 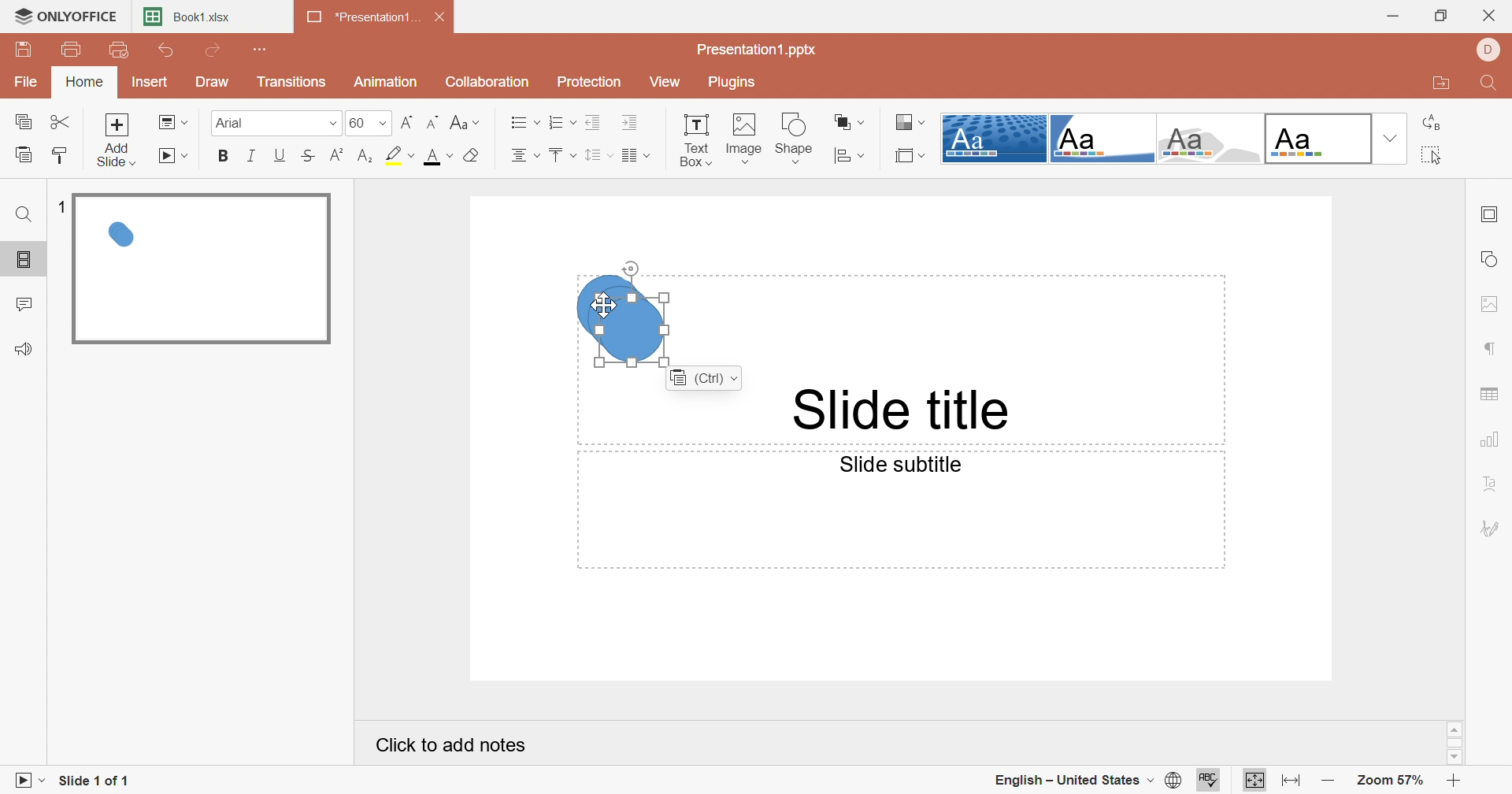 I want to click on Slide title, so click(x=903, y=410).